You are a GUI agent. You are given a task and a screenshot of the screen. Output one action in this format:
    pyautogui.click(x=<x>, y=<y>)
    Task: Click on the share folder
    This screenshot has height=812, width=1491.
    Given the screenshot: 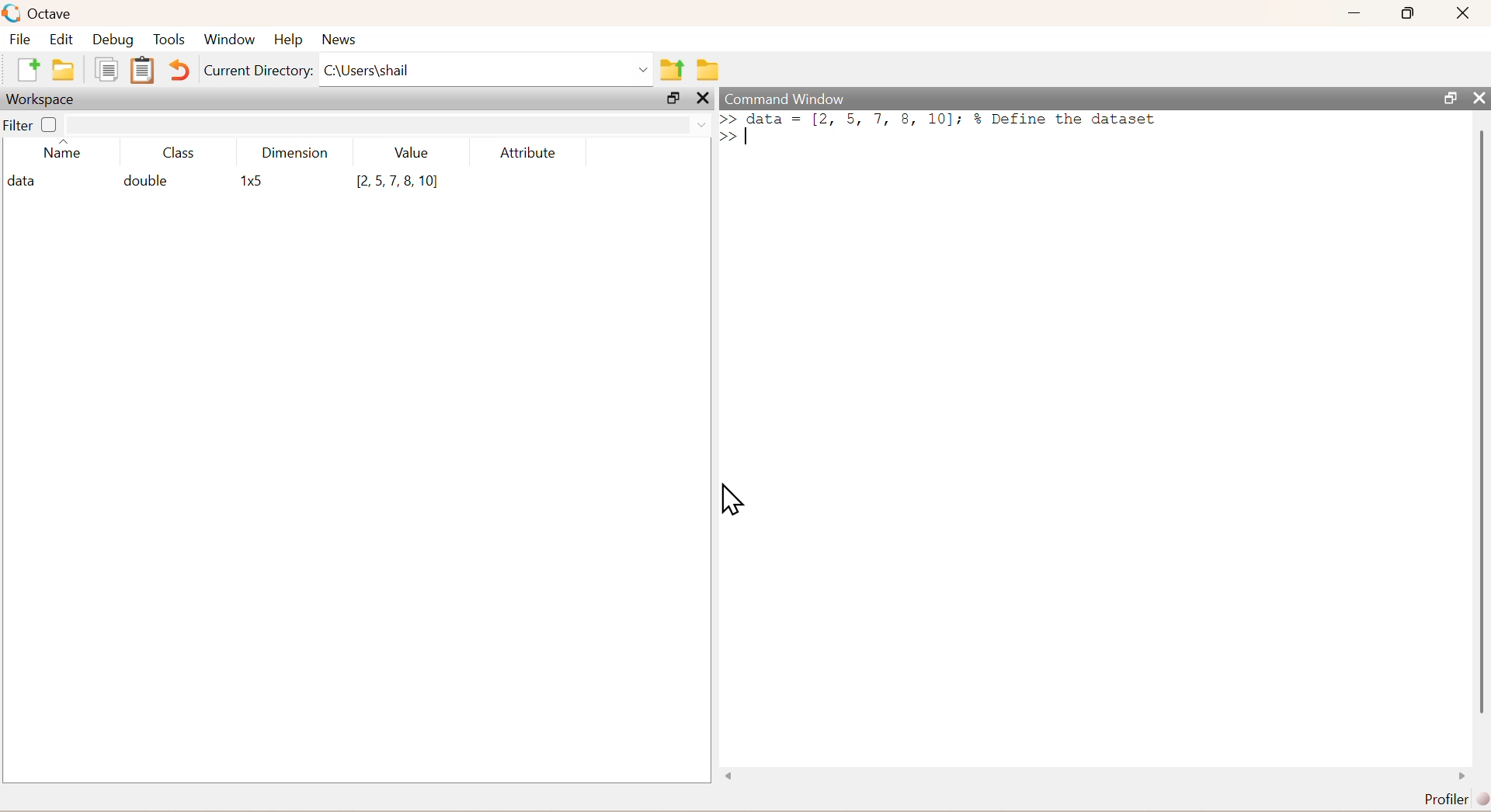 What is the action you would take?
    pyautogui.click(x=673, y=70)
    